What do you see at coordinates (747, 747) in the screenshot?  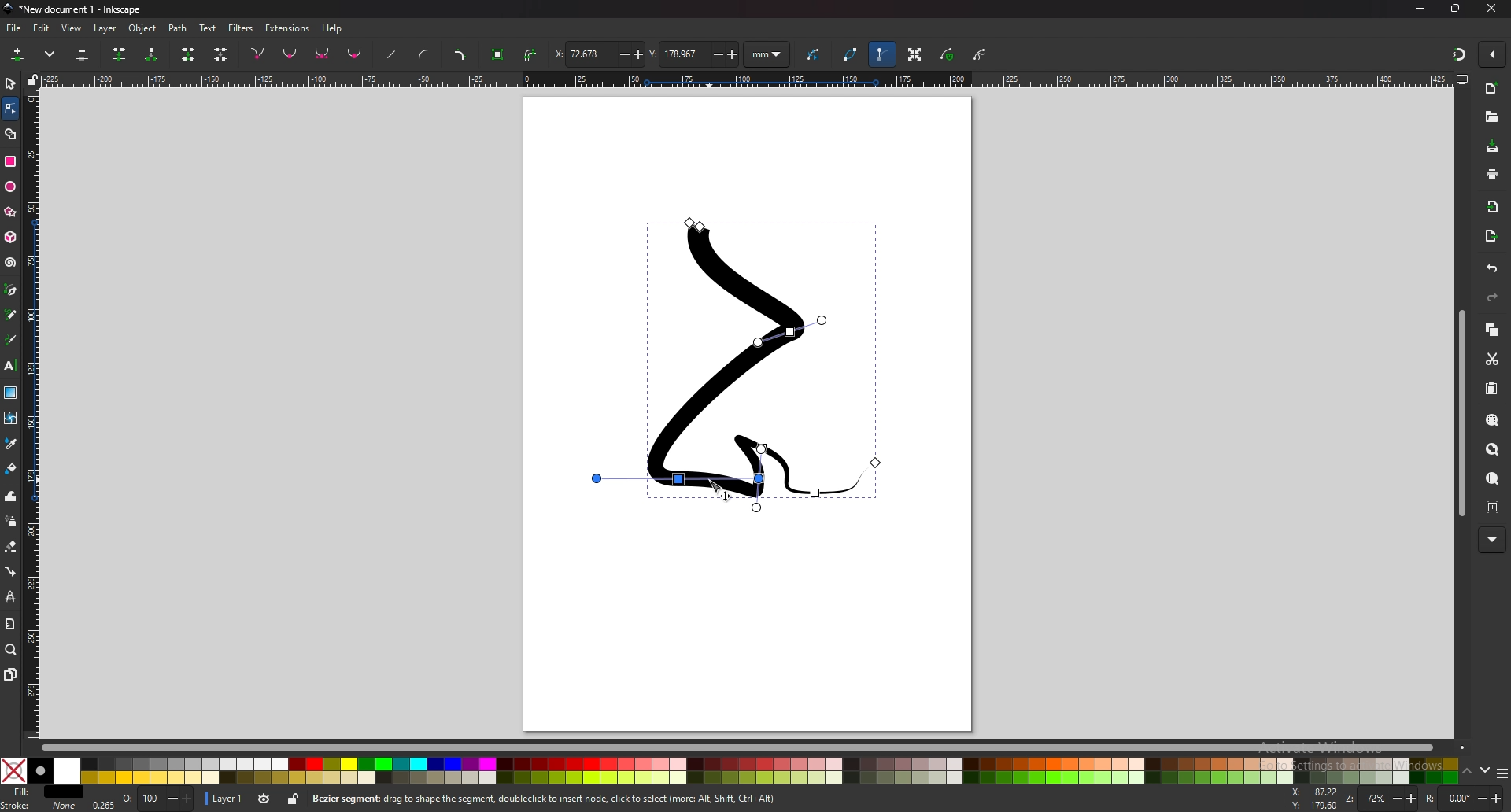 I see `scroll bar` at bounding box center [747, 747].